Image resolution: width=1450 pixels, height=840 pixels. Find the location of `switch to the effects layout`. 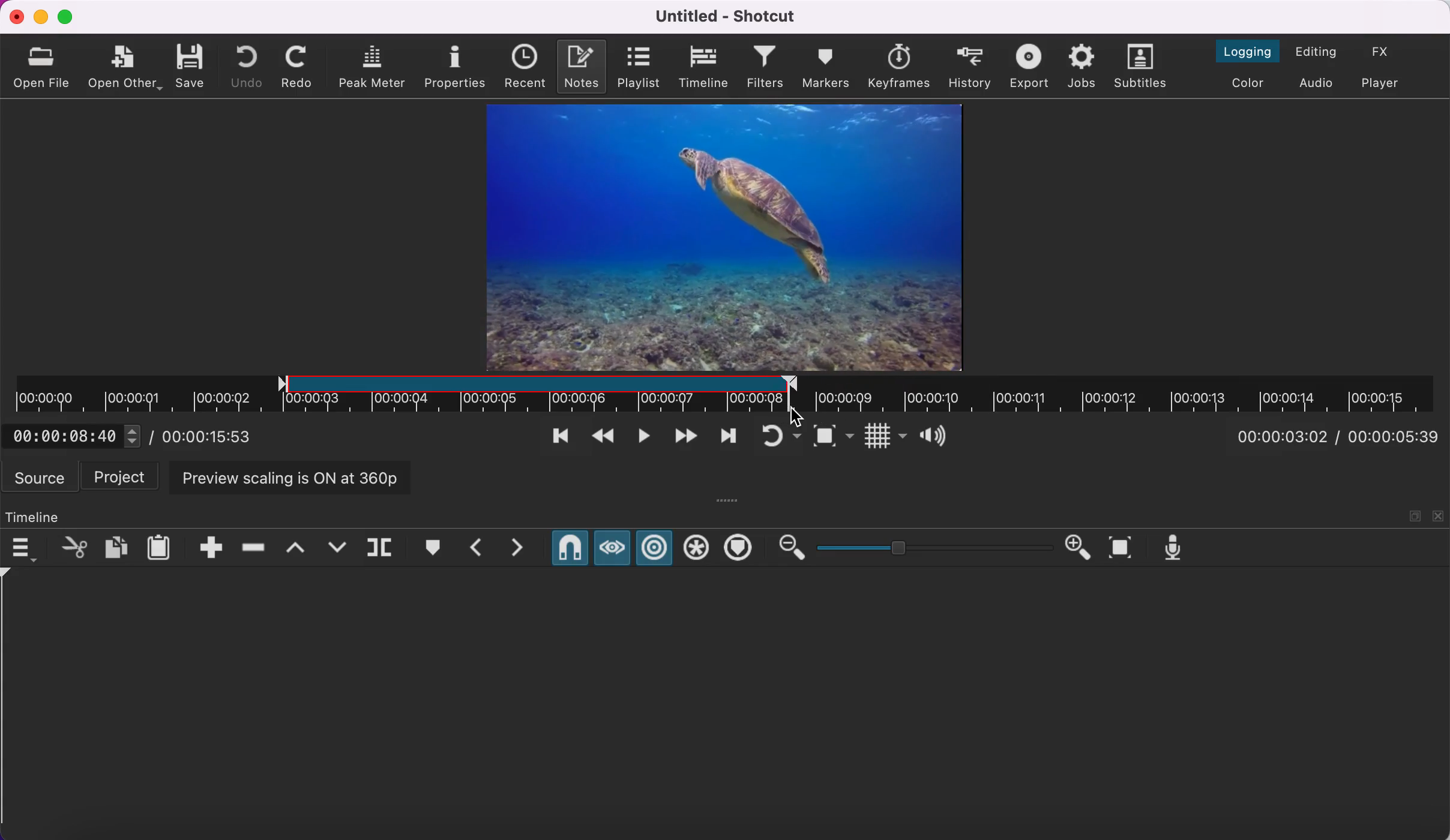

switch to the effects layout is located at coordinates (1384, 53).